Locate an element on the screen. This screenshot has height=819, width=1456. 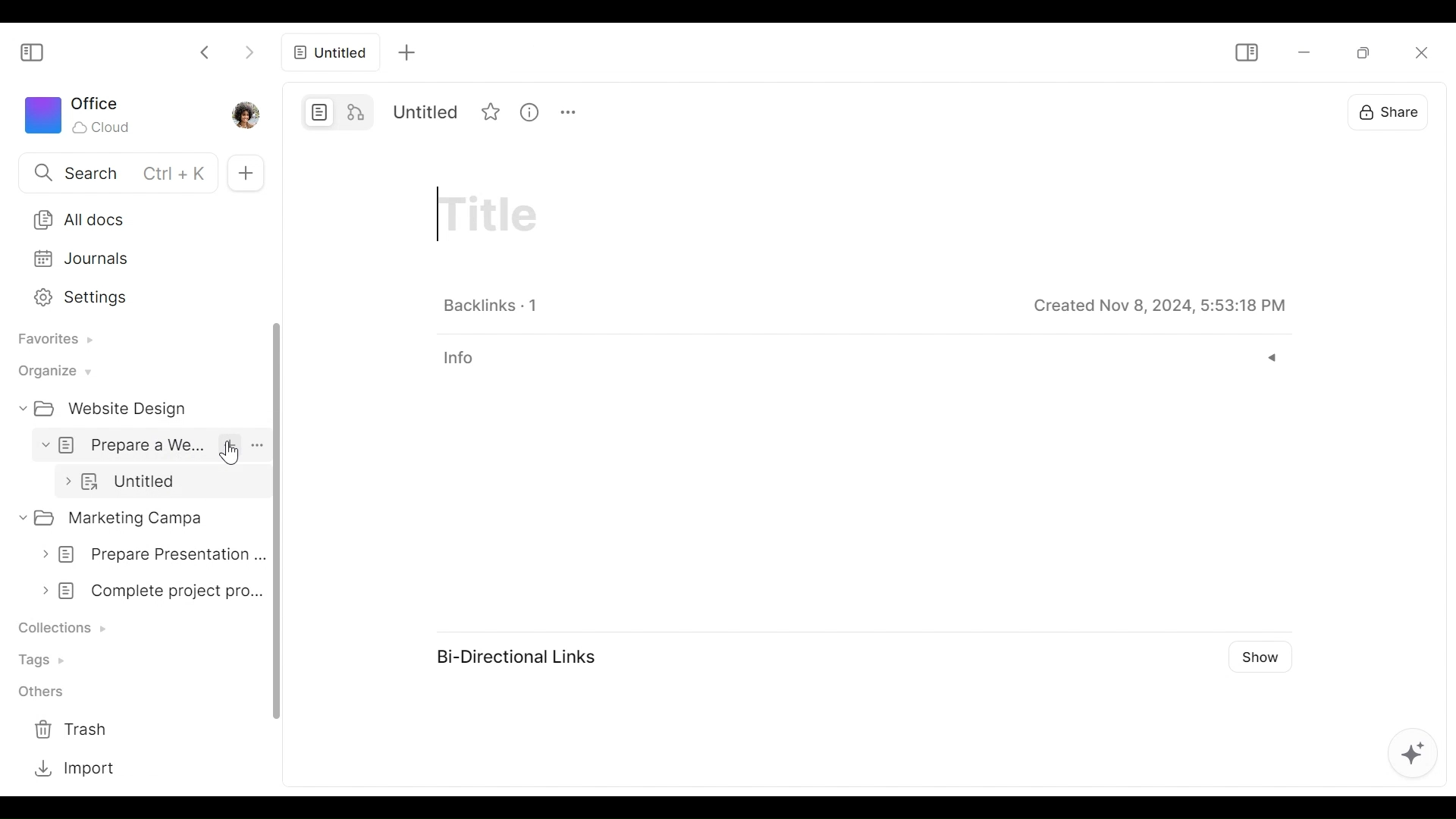
Show is located at coordinates (1264, 656).